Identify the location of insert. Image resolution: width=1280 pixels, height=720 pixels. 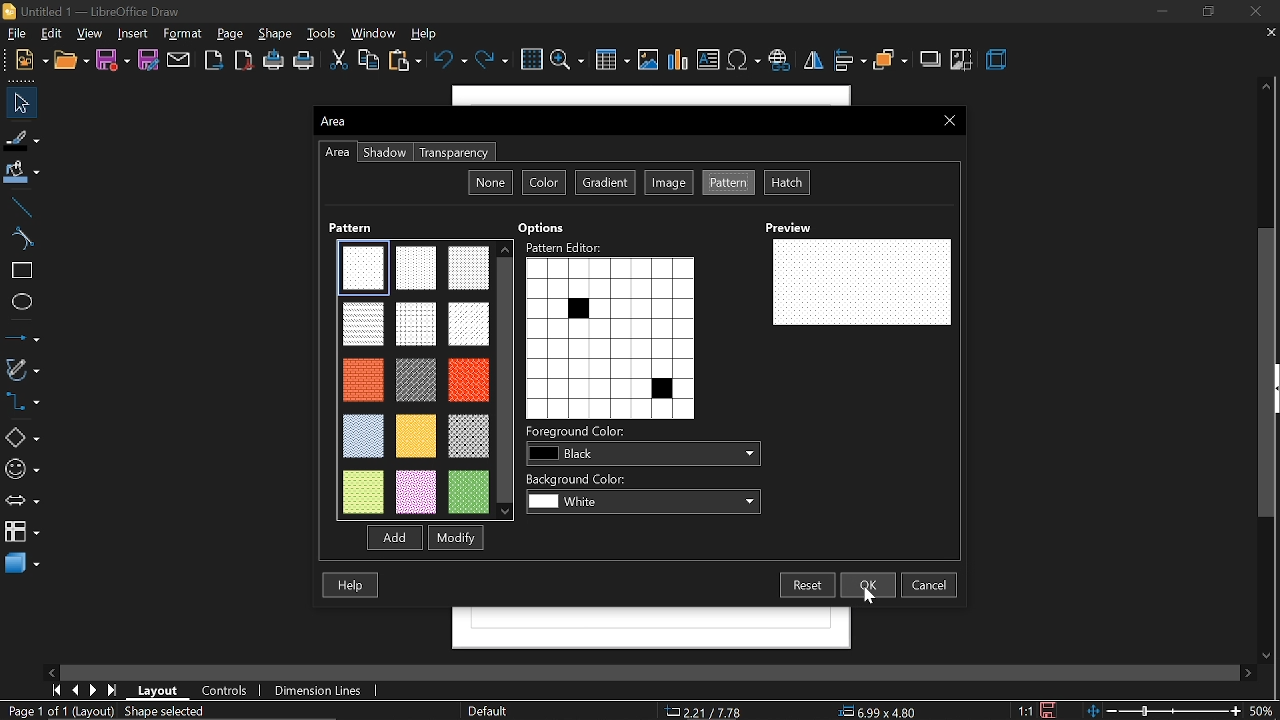
(134, 33).